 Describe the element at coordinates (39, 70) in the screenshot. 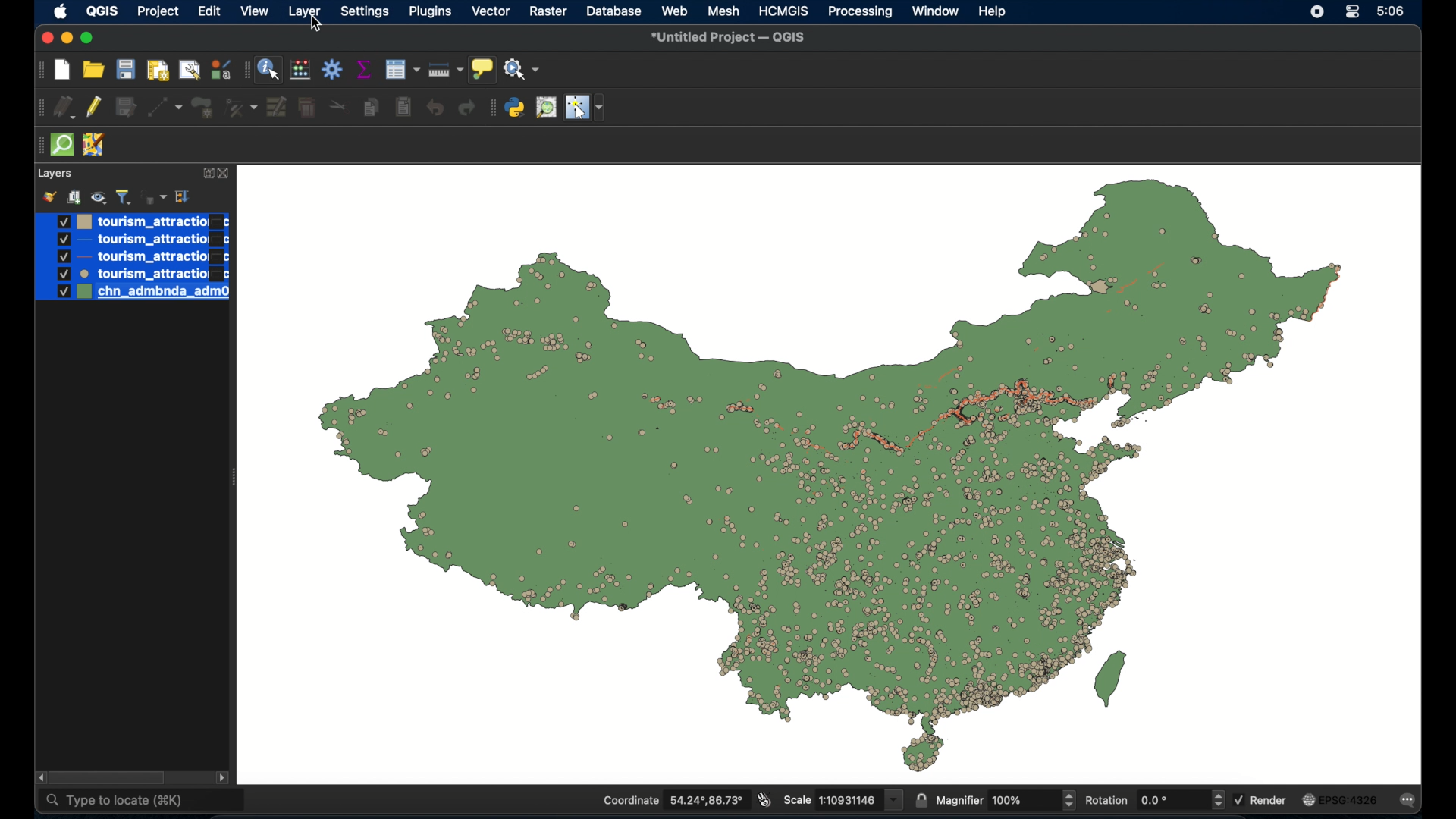

I see `drag handle` at that location.